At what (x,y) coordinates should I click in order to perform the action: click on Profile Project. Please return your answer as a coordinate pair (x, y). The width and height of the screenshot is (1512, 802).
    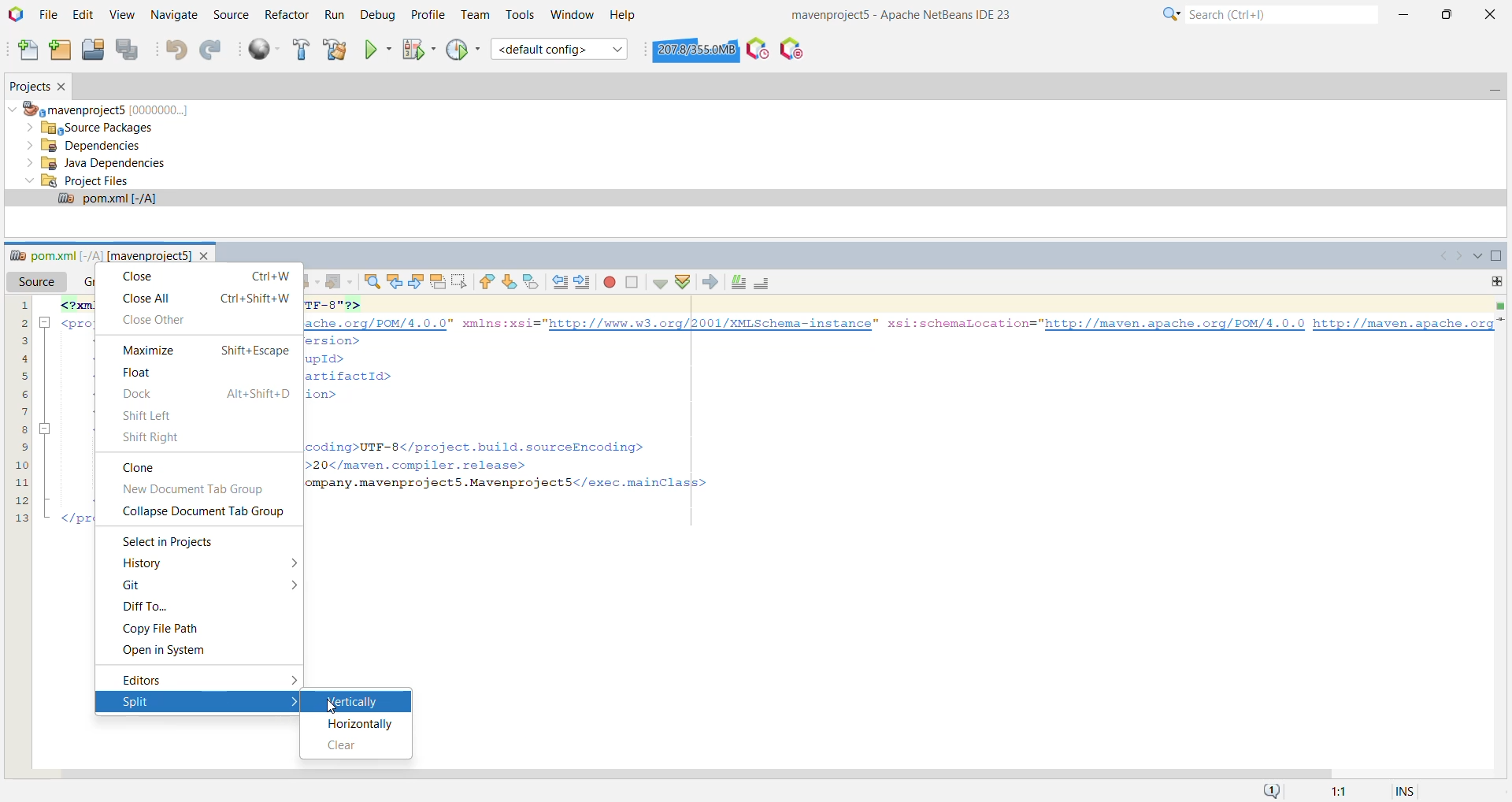
    Looking at the image, I should click on (463, 50).